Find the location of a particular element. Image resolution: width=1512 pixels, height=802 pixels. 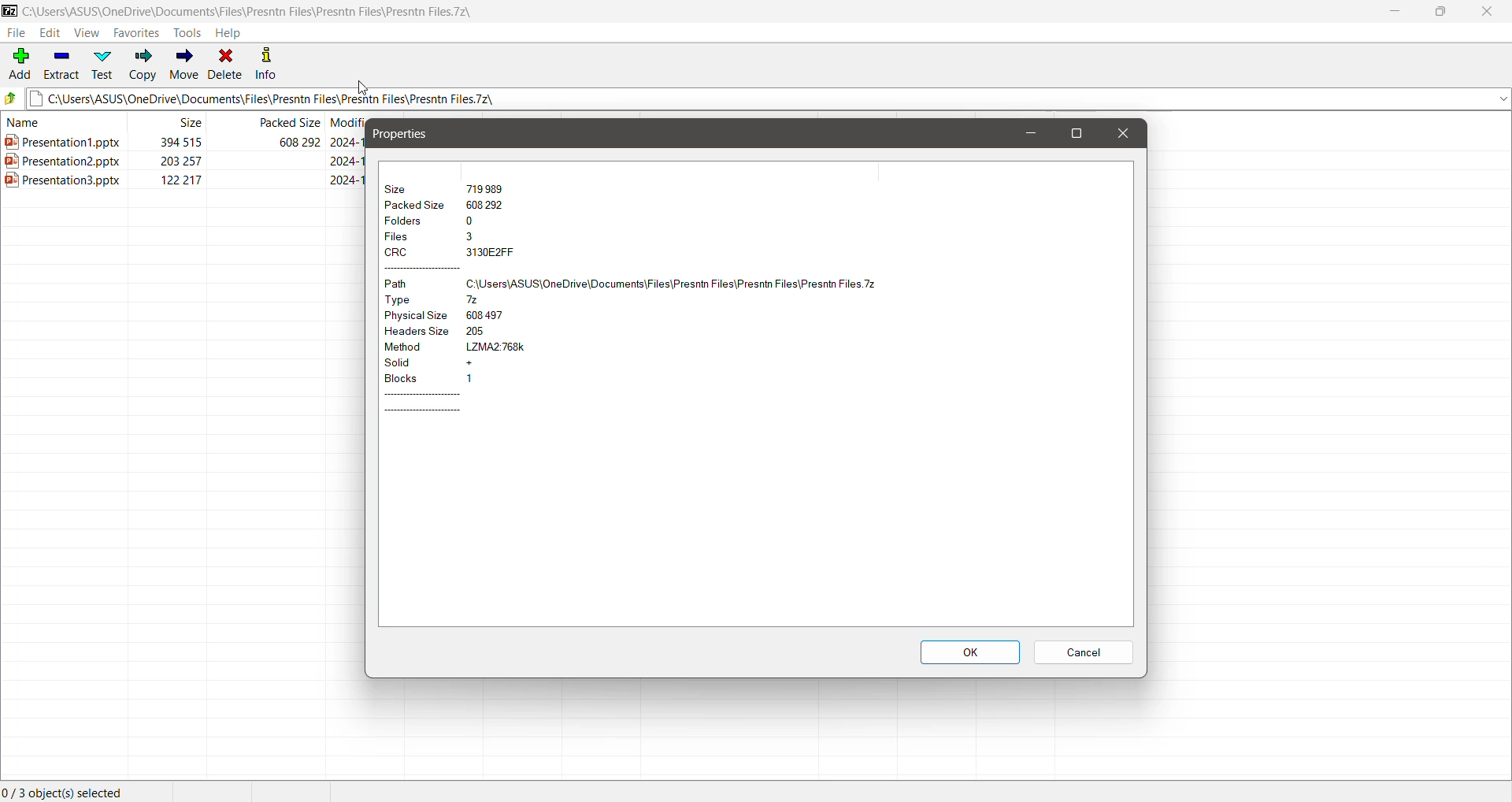

0/ 3 object(s) selected is located at coordinates (67, 789).